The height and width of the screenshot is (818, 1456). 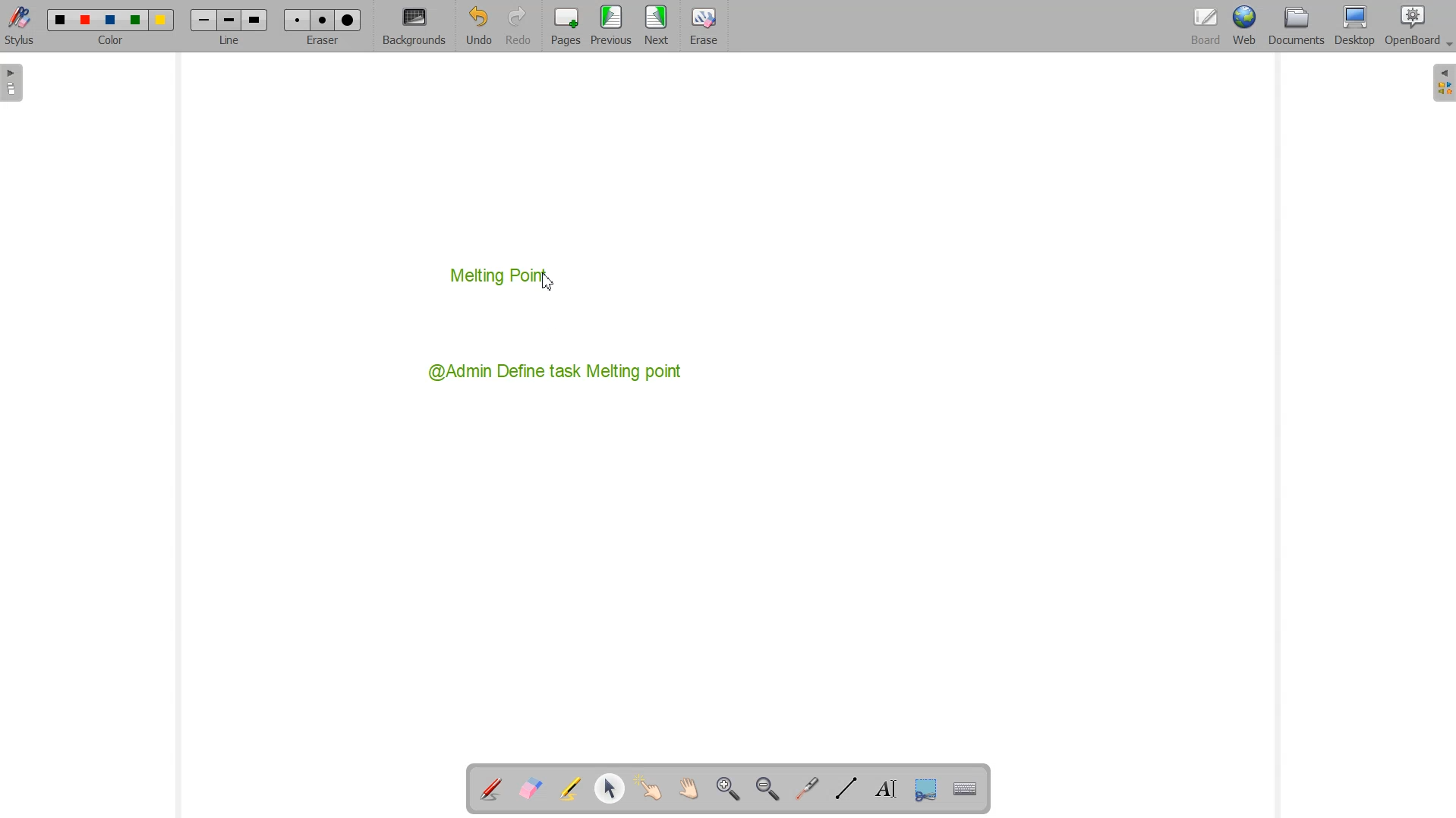 What do you see at coordinates (1442, 83) in the screenshot?
I see `Sidebar` at bounding box center [1442, 83].